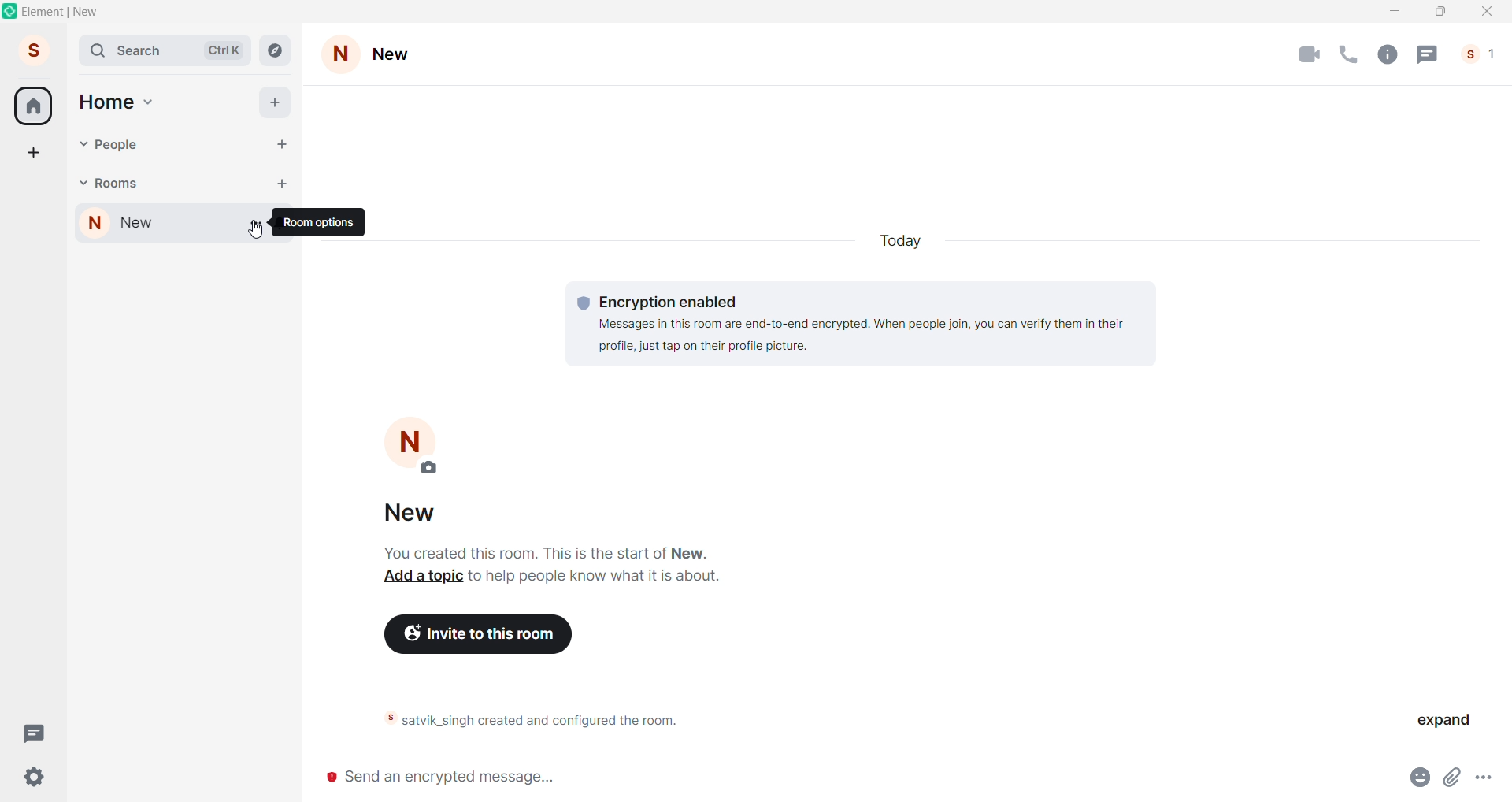 The image size is (1512, 802). I want to click on Home, so click(106, 100).